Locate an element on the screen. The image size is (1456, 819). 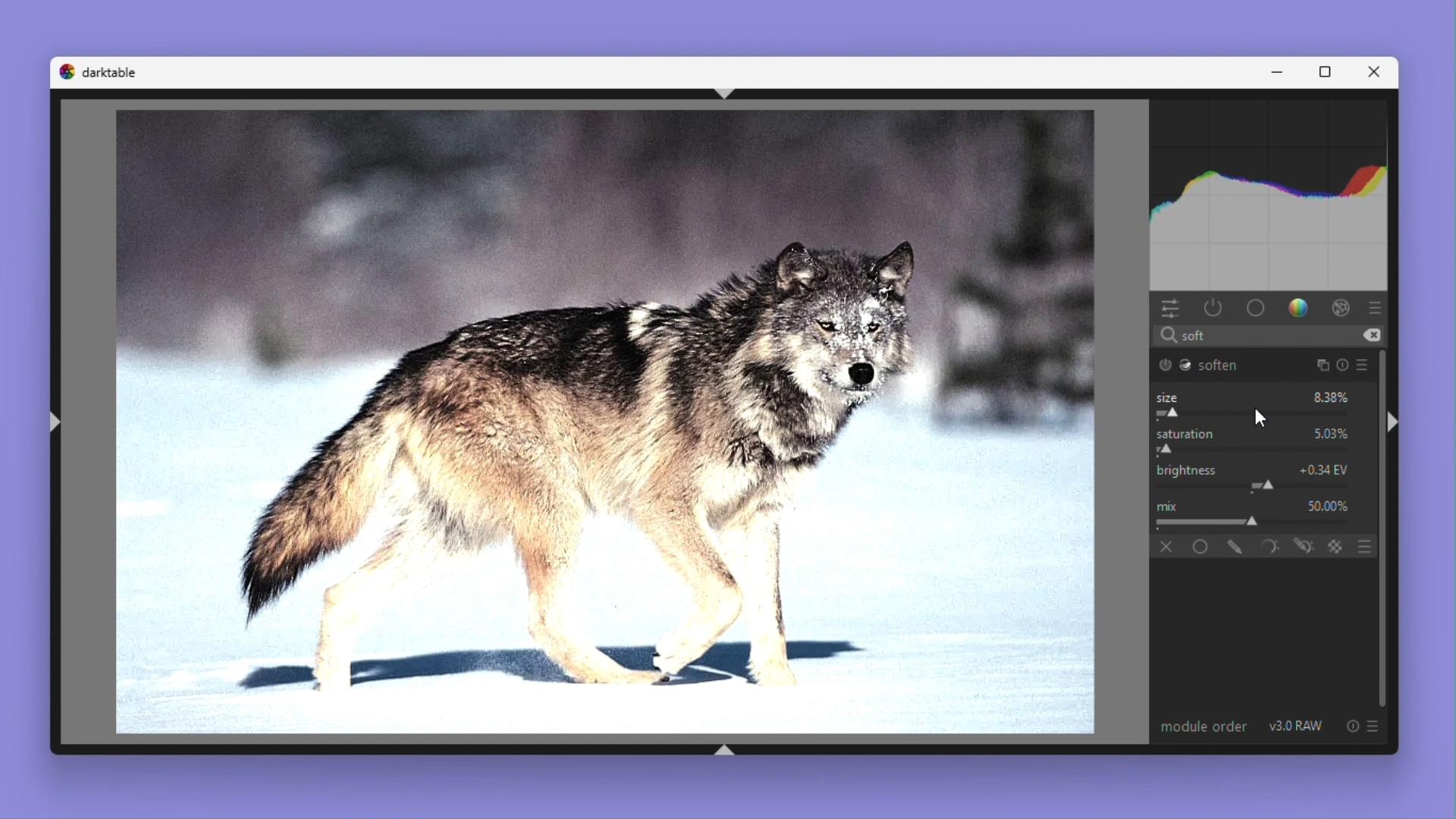
text "soft" is located at coordinates (1188, 336).